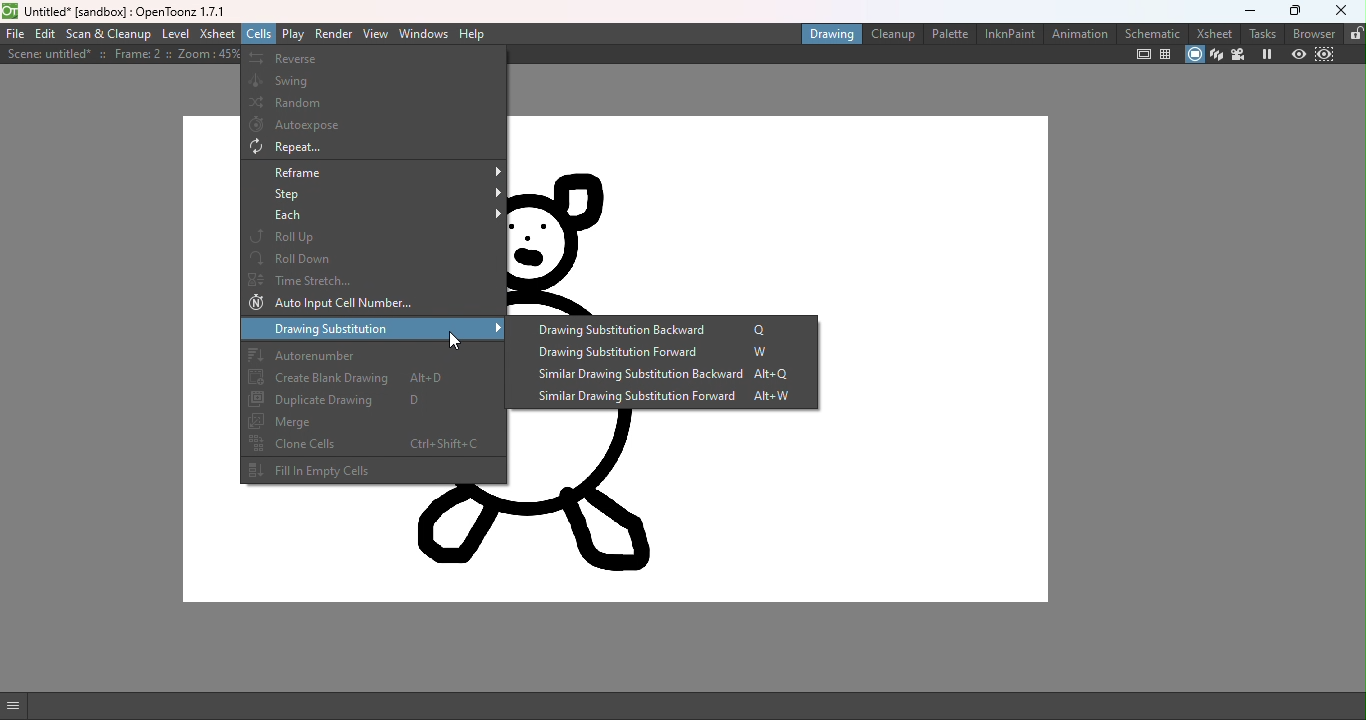 The height and width of the screenshot is (720, 1366). What do you see at coordinates (1216, 55) in the screenshot?
I see `3D view` at bounding box center [1216, 55].